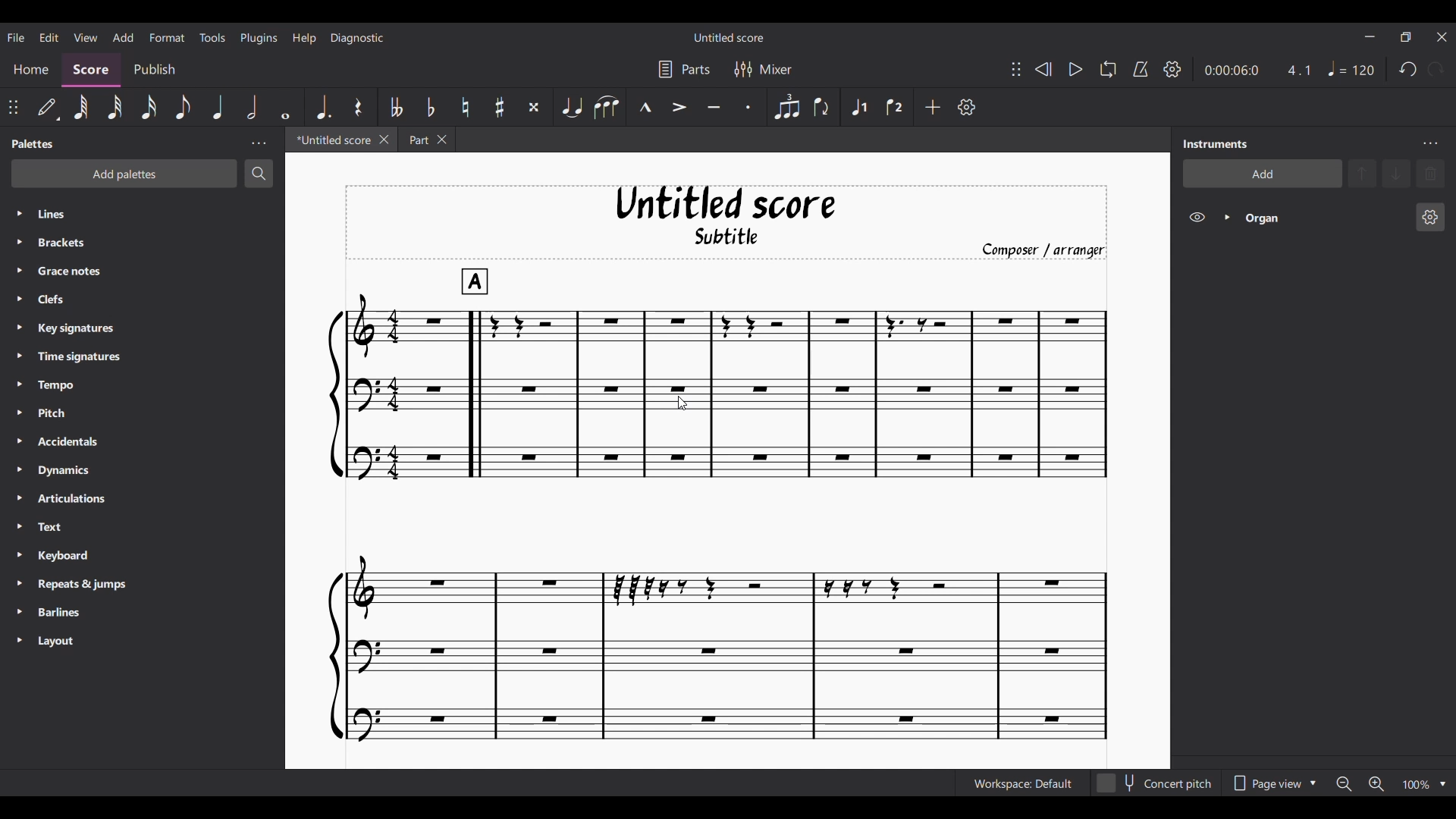  What do you see at coordinates (1431, 173) in the screenshot?
I see `Delete` at bounding box center [1431, 173].